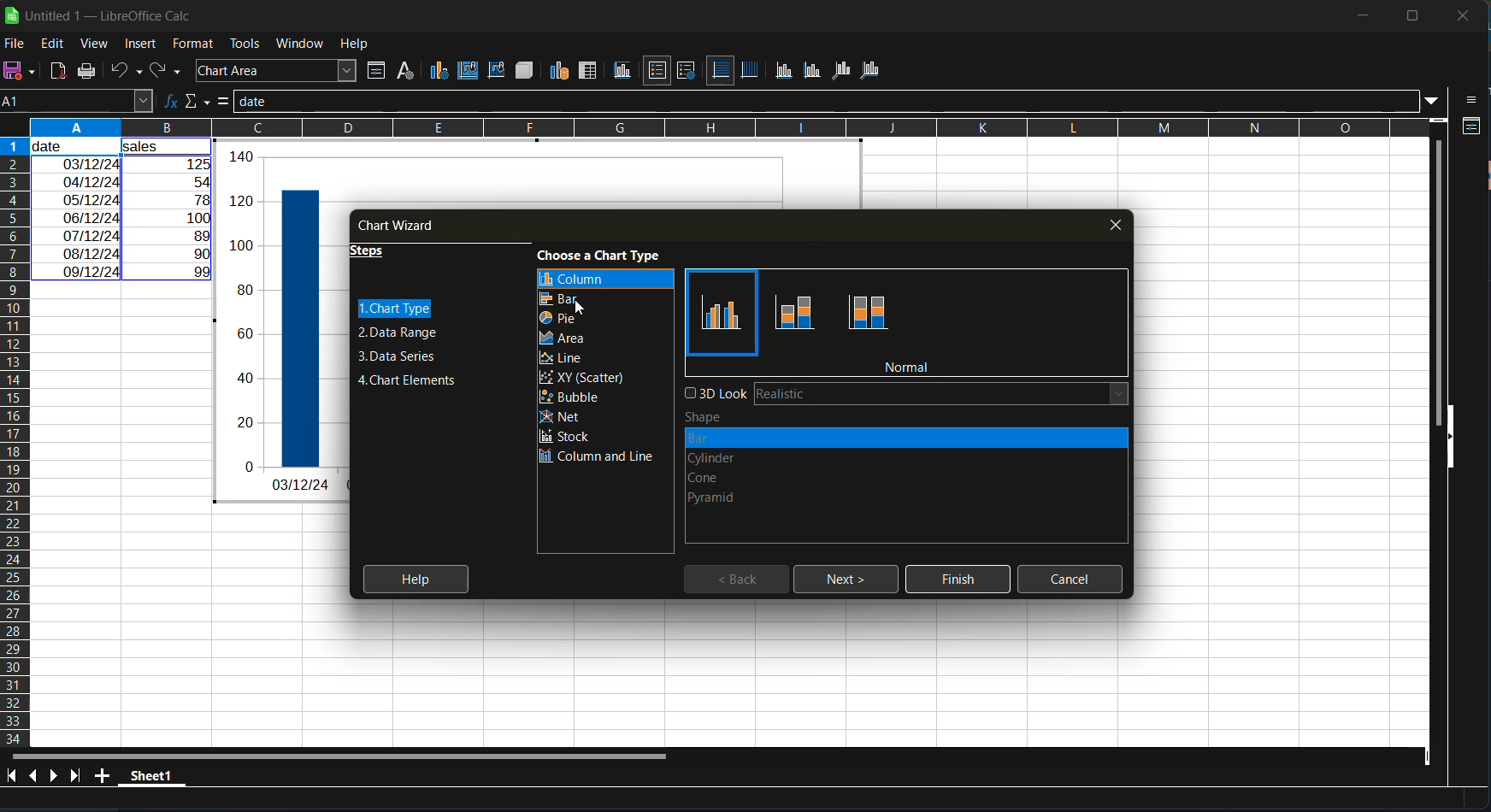  Describe the element at coordinates (561, 70) in the screenshot. I see `data range` at that location.